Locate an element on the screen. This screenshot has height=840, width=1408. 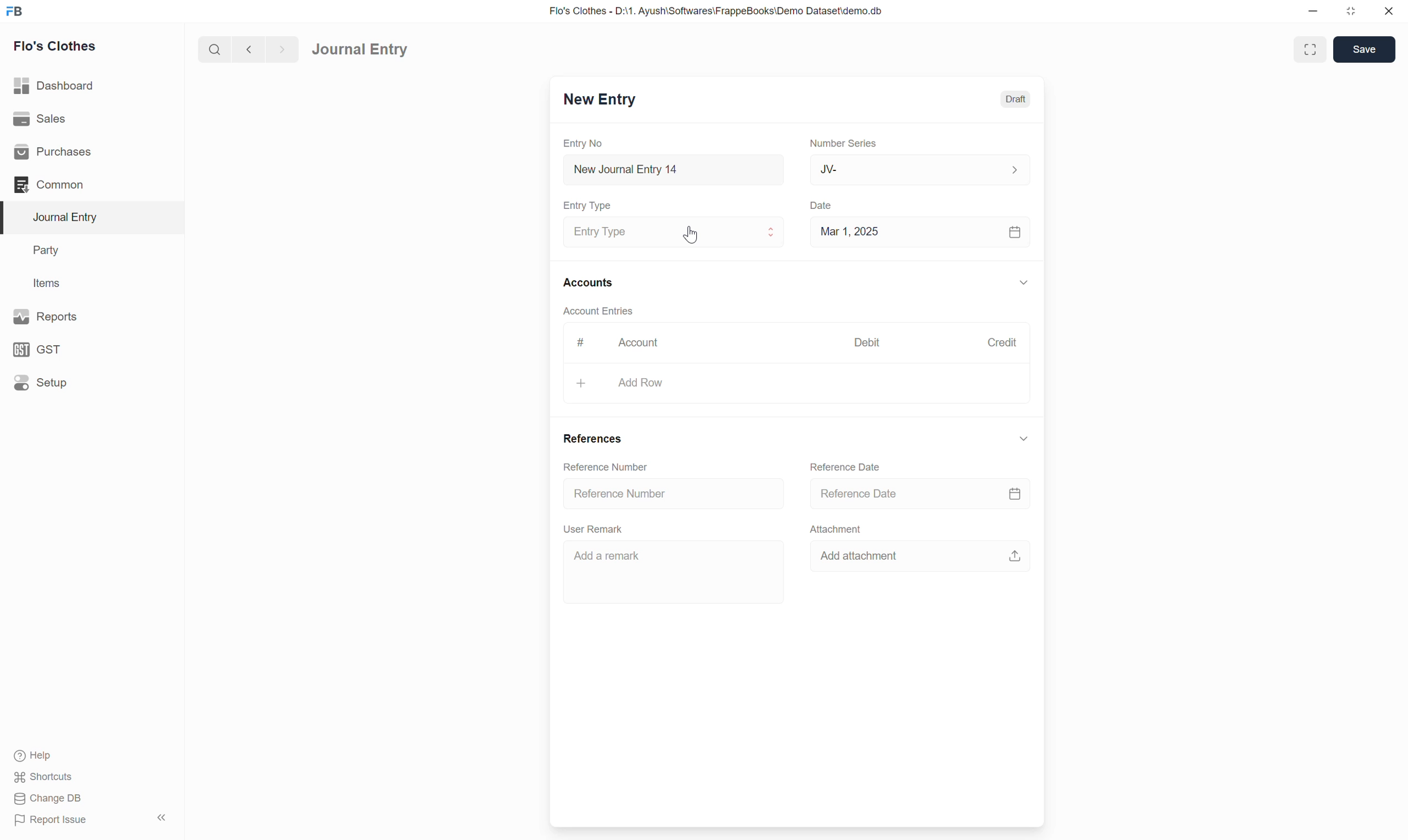
Flo's Clothes - D:\1. Ayush\Softwares\FrappeBooks\Demo Dataset\demo.db is located at coordinates (719, 10).